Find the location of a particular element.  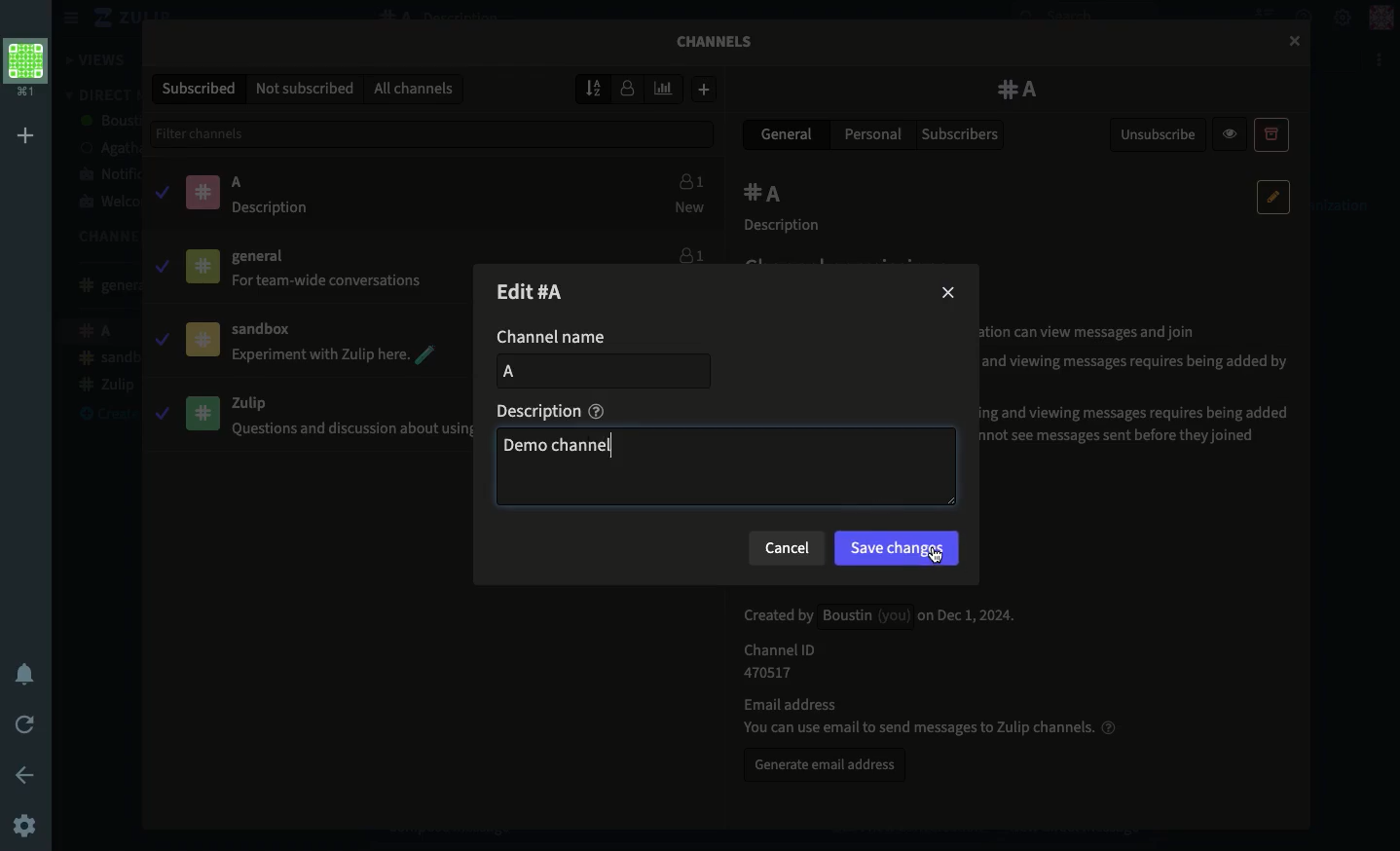

Generate email address is located at coordinates (826, 768).